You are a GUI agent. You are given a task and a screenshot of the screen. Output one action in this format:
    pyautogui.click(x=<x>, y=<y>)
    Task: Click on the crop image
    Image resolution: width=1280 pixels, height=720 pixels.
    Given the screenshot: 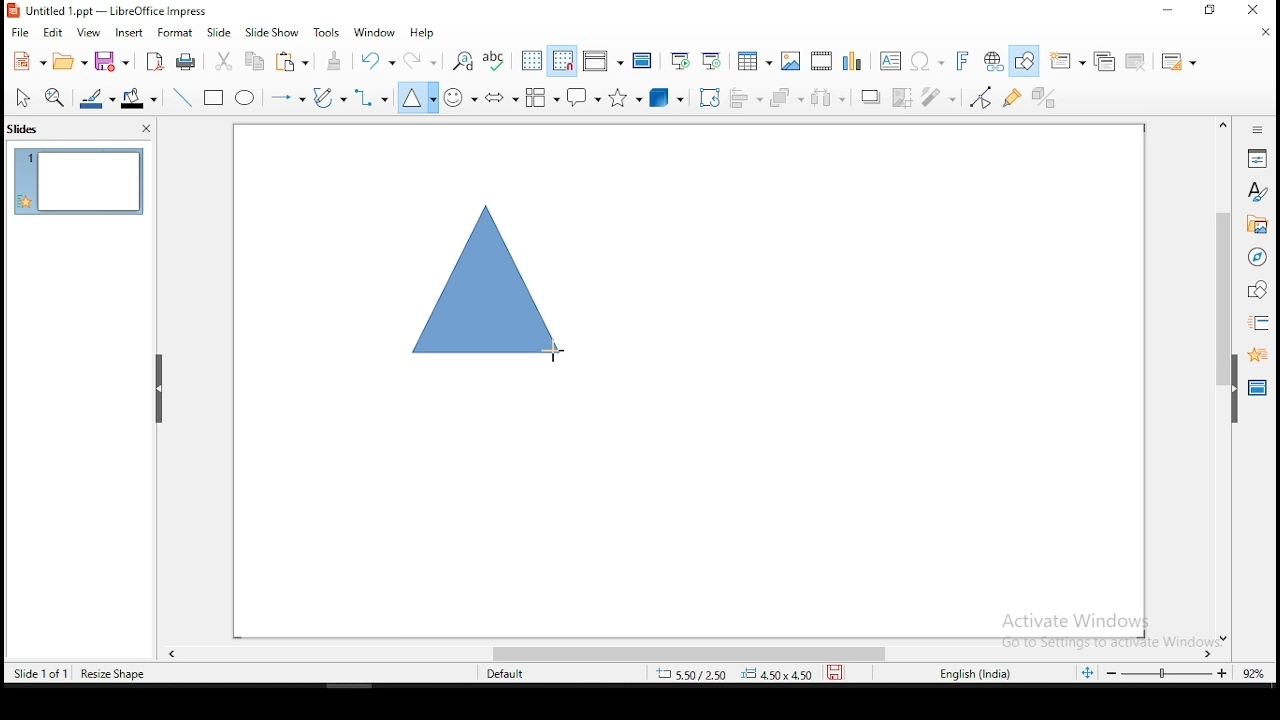 What is the action you would take?
    pyautogui.click(x=904, y=96)
    